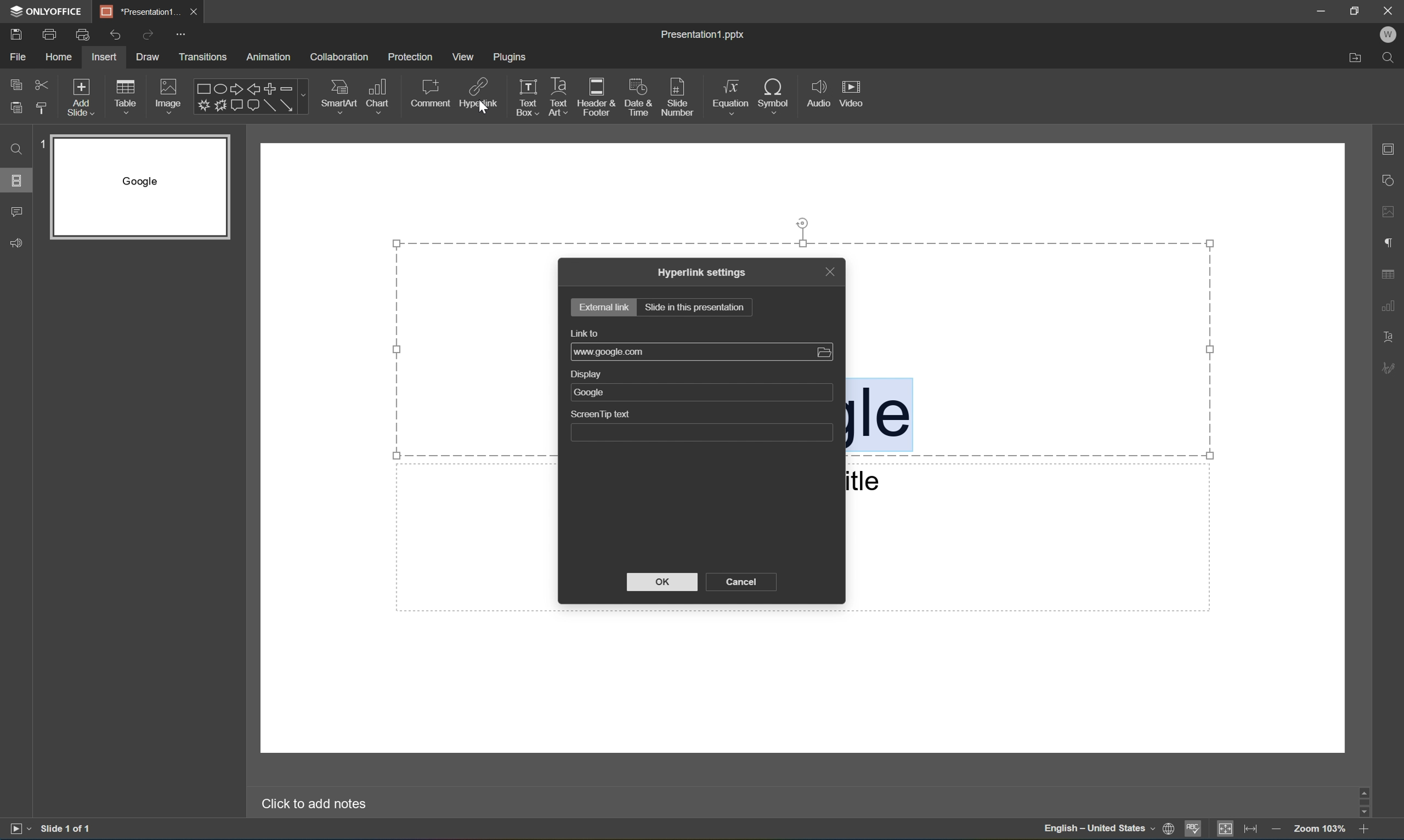  Describe the element at coordinates (412, 57) in the screenshot. I see `Protection` at that location.